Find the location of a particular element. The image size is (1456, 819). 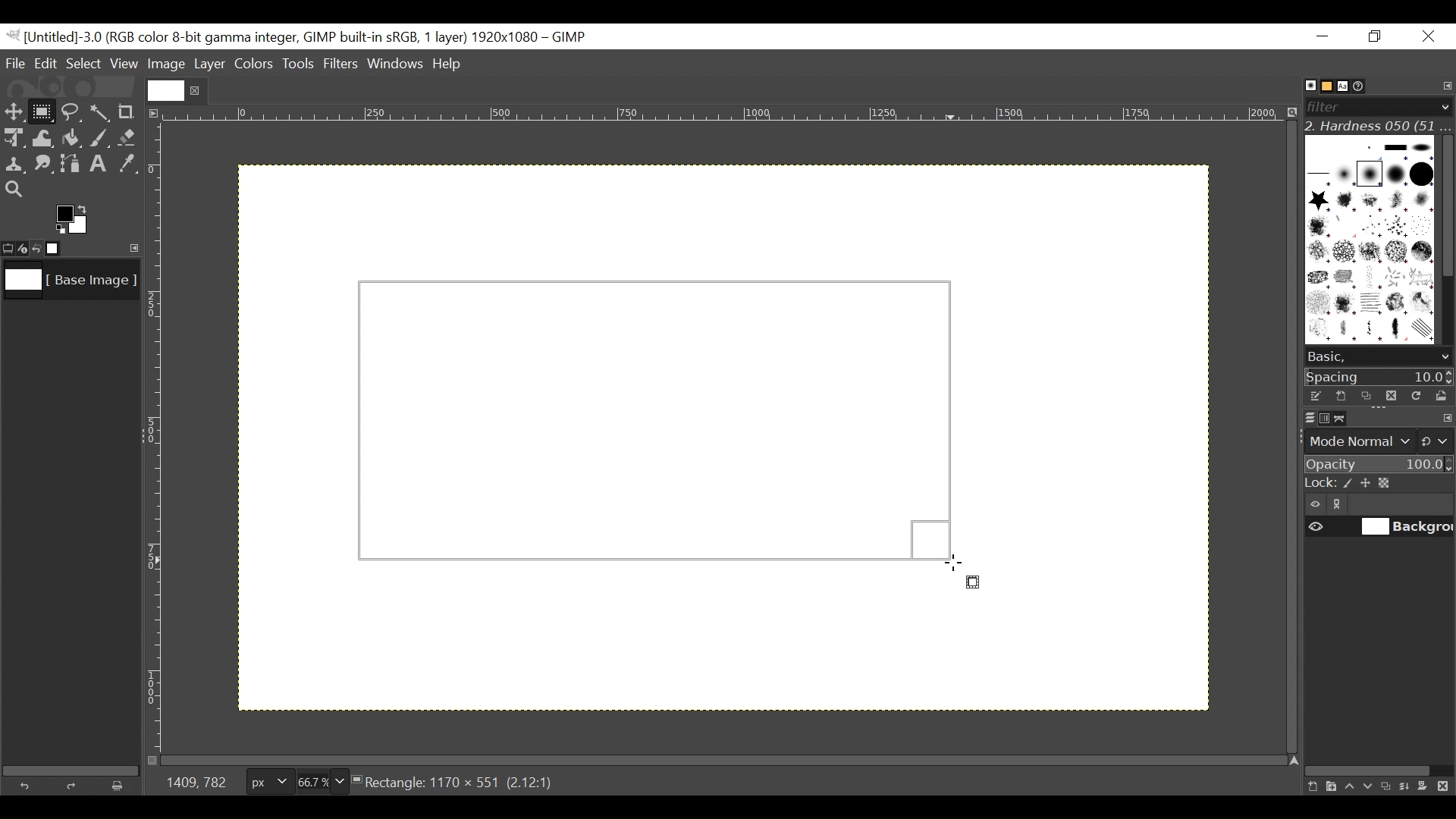

Duplicate brush is located at coordinates (1390, 395).